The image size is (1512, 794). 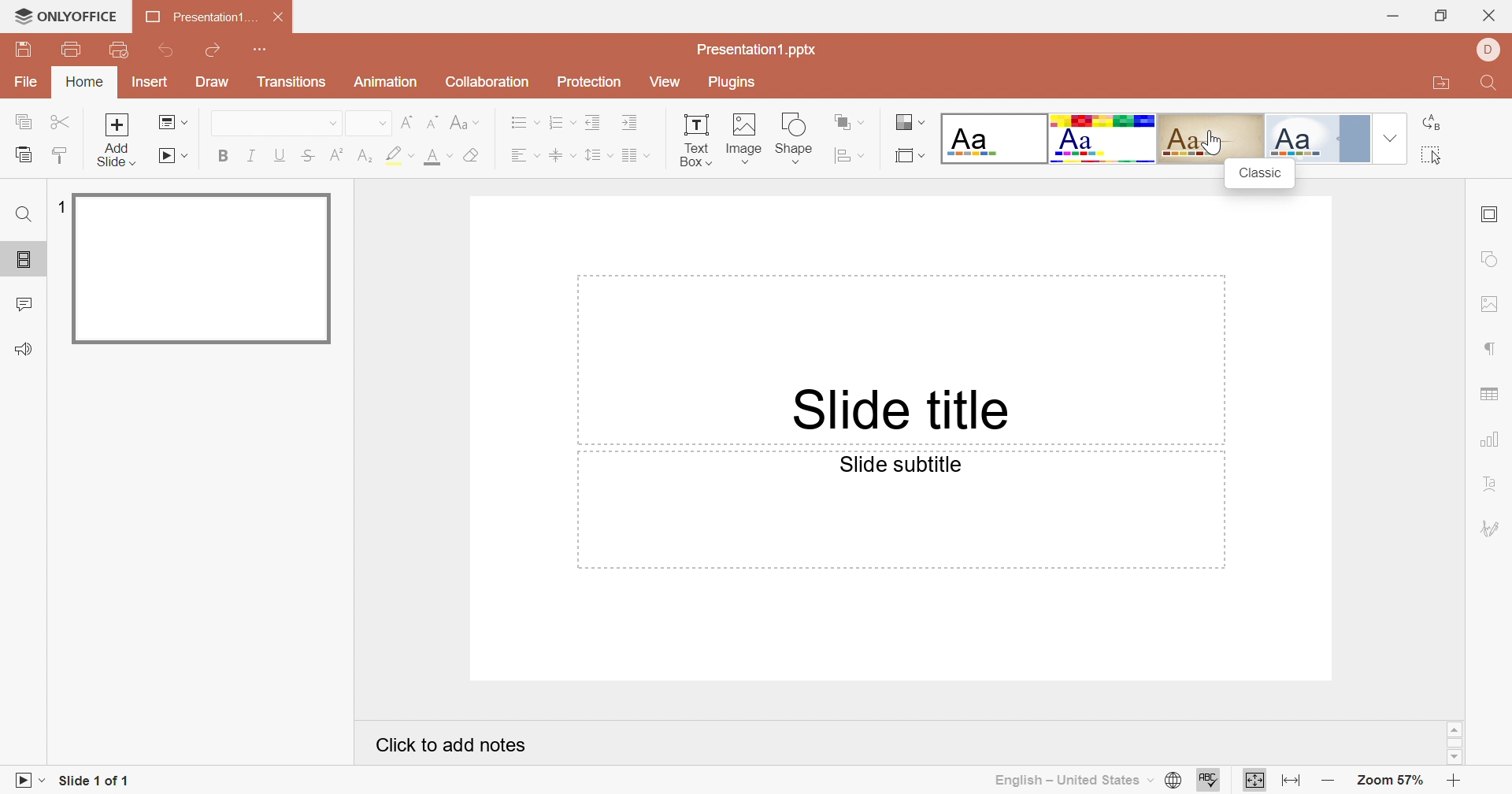 I want to click on Official, so click(x=1319, y=138).